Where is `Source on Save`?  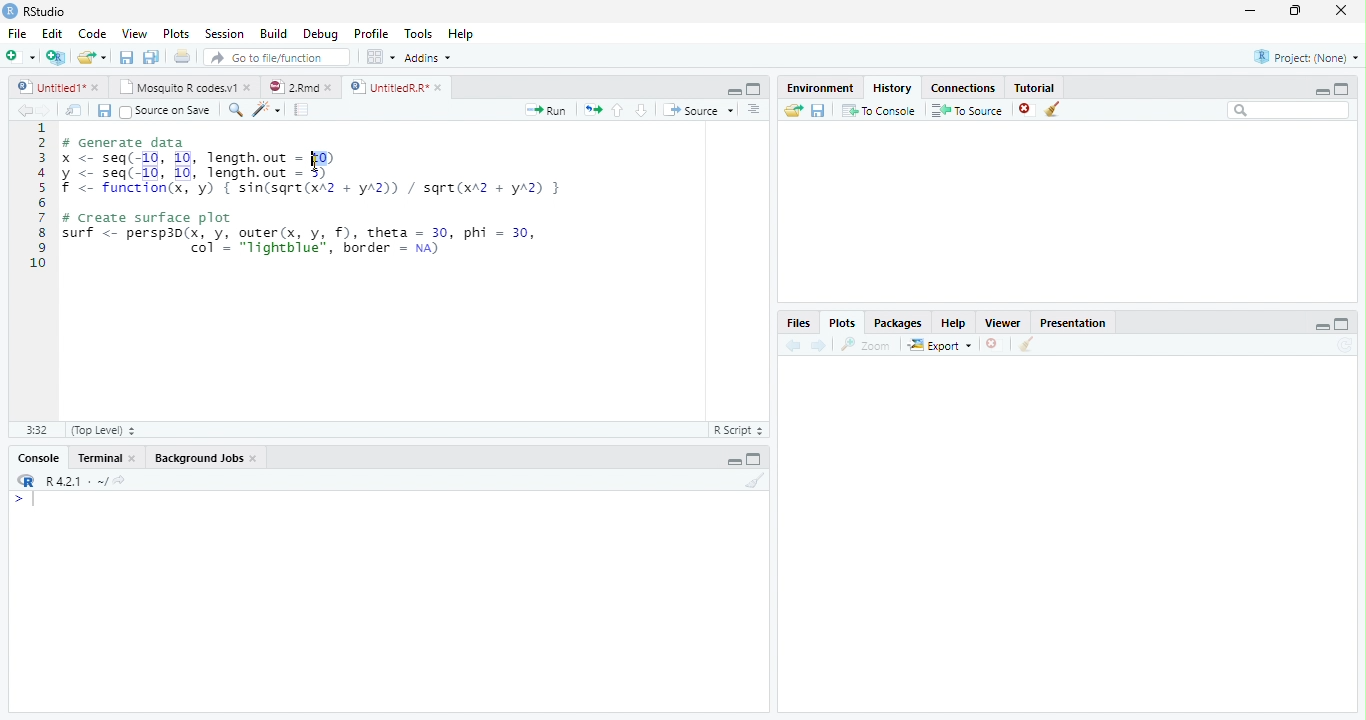
Source on Save is located at coordinates (167, 110).